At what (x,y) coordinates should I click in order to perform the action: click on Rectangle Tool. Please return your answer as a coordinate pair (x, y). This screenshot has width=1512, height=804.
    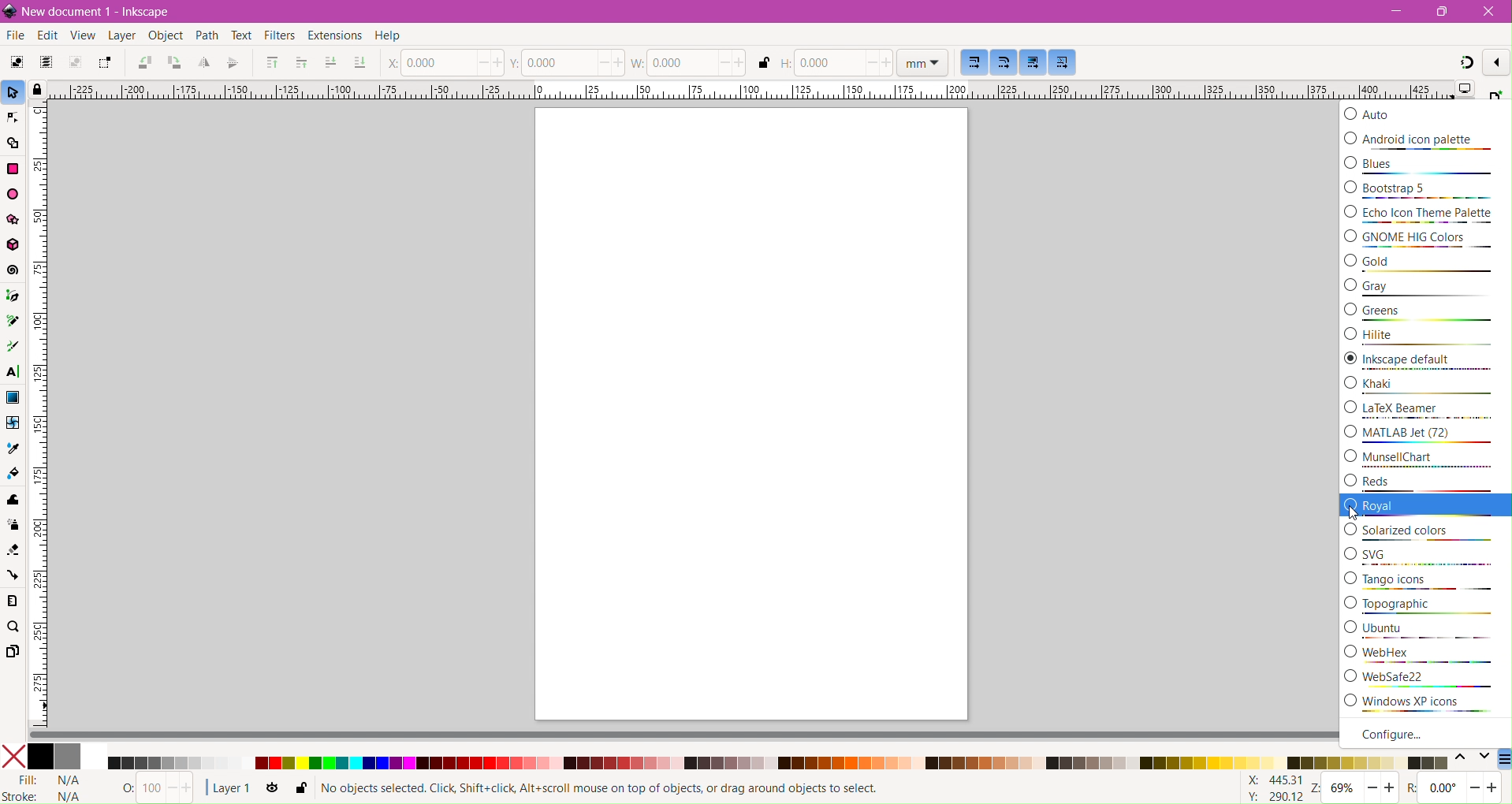
    Looking at the image, I should click on (13, 170).